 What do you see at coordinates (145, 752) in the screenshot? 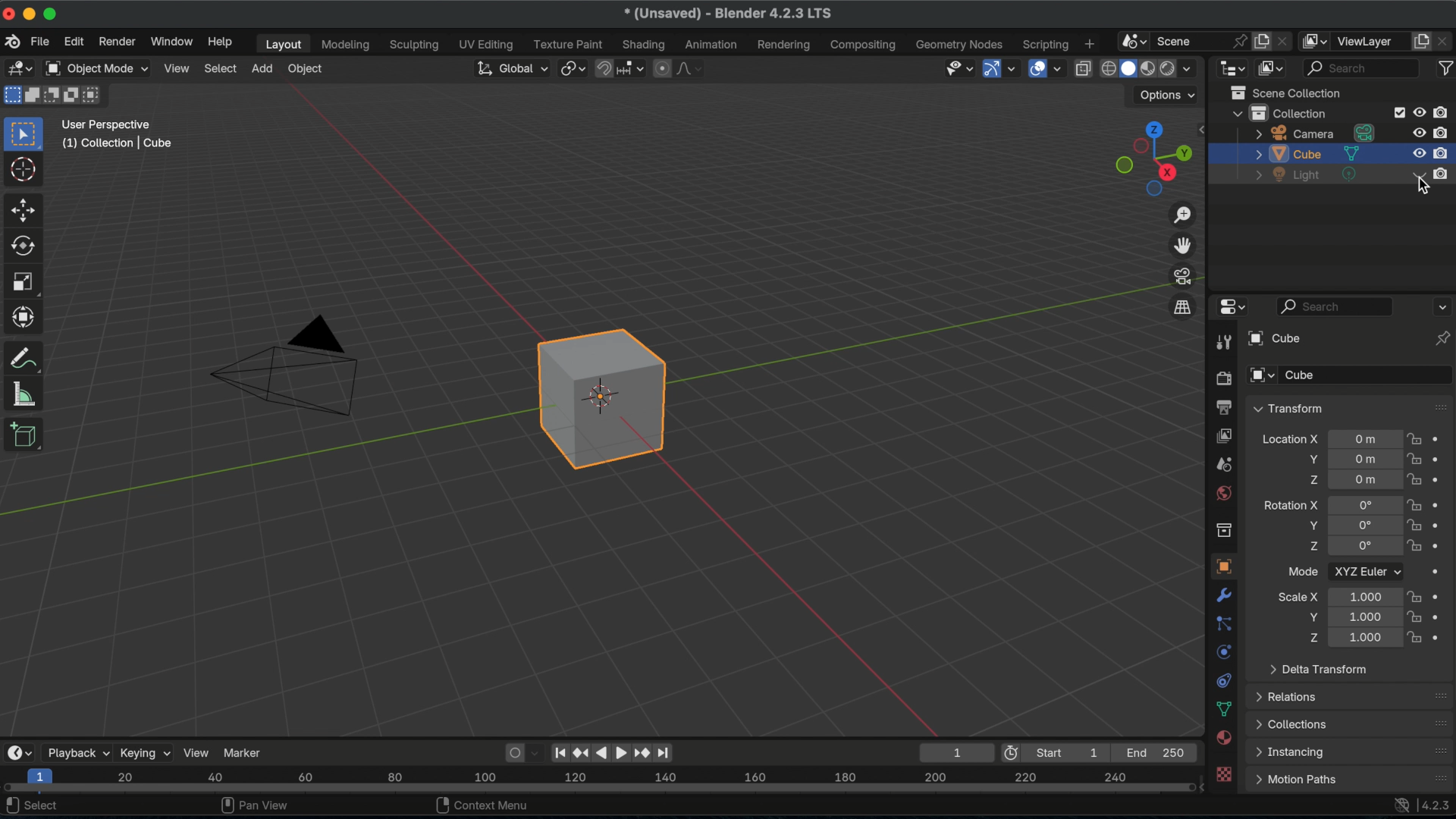
I see `keying dropdown` at bounding box center [145, 752].